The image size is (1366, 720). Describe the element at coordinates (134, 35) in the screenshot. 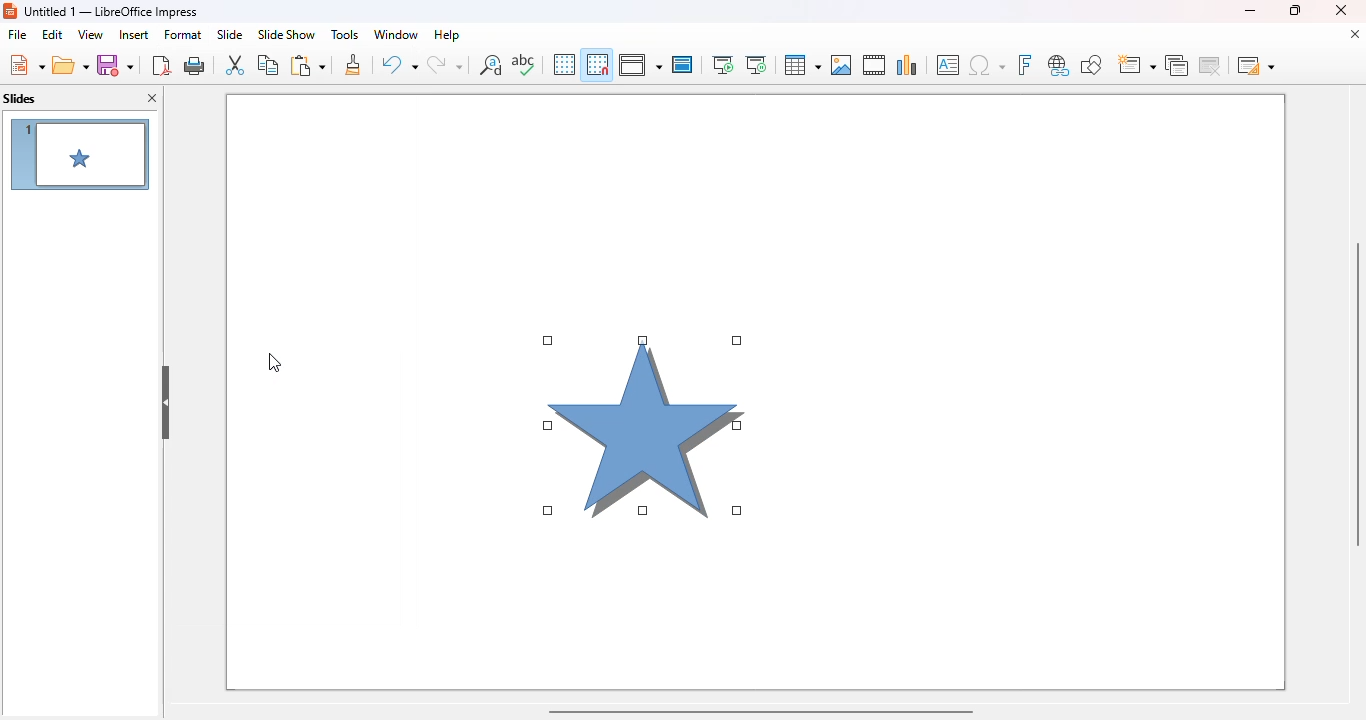

I see `insert` at that location.